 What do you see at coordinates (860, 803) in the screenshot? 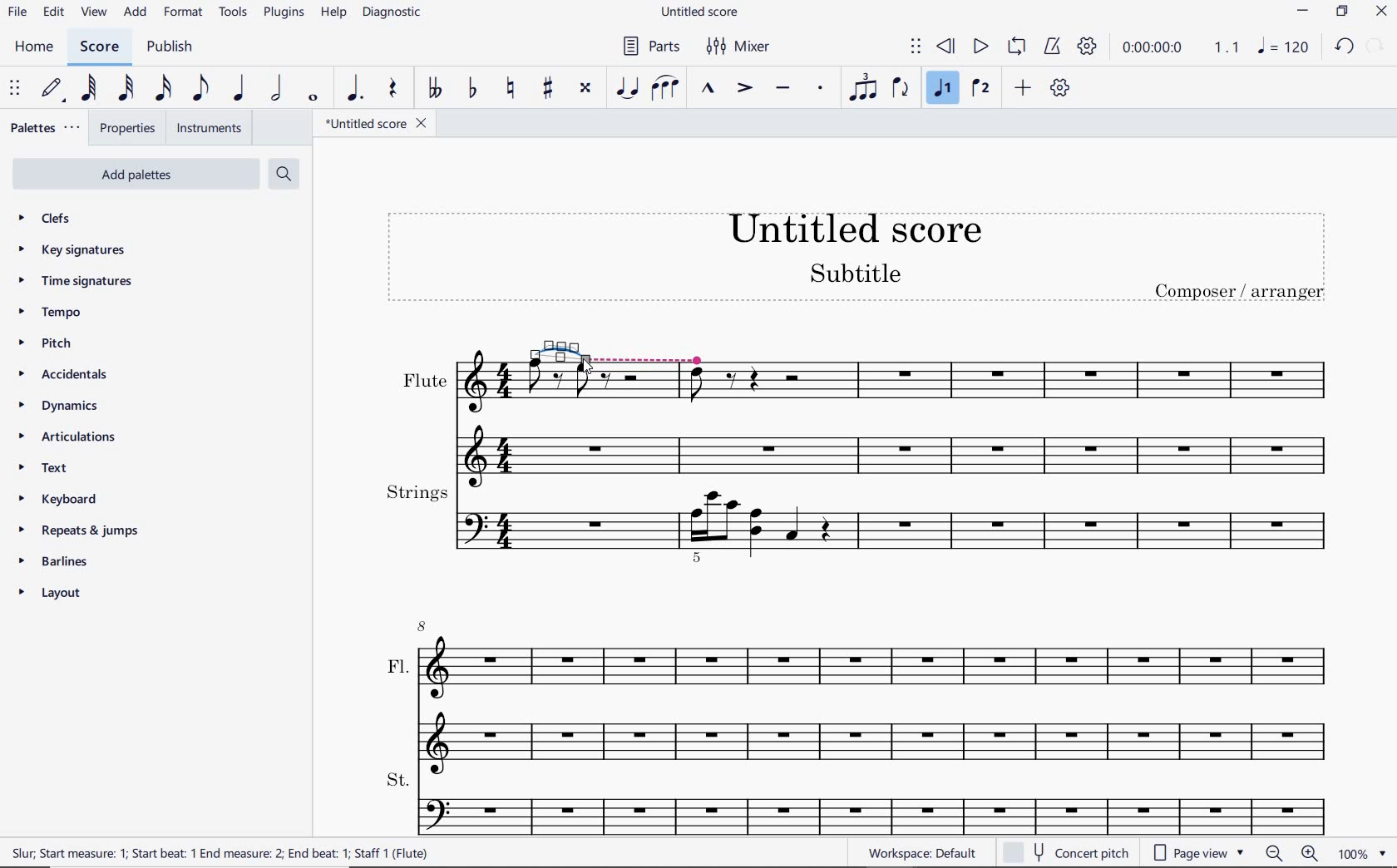
I see `St.` at bounding box center [860, 803].